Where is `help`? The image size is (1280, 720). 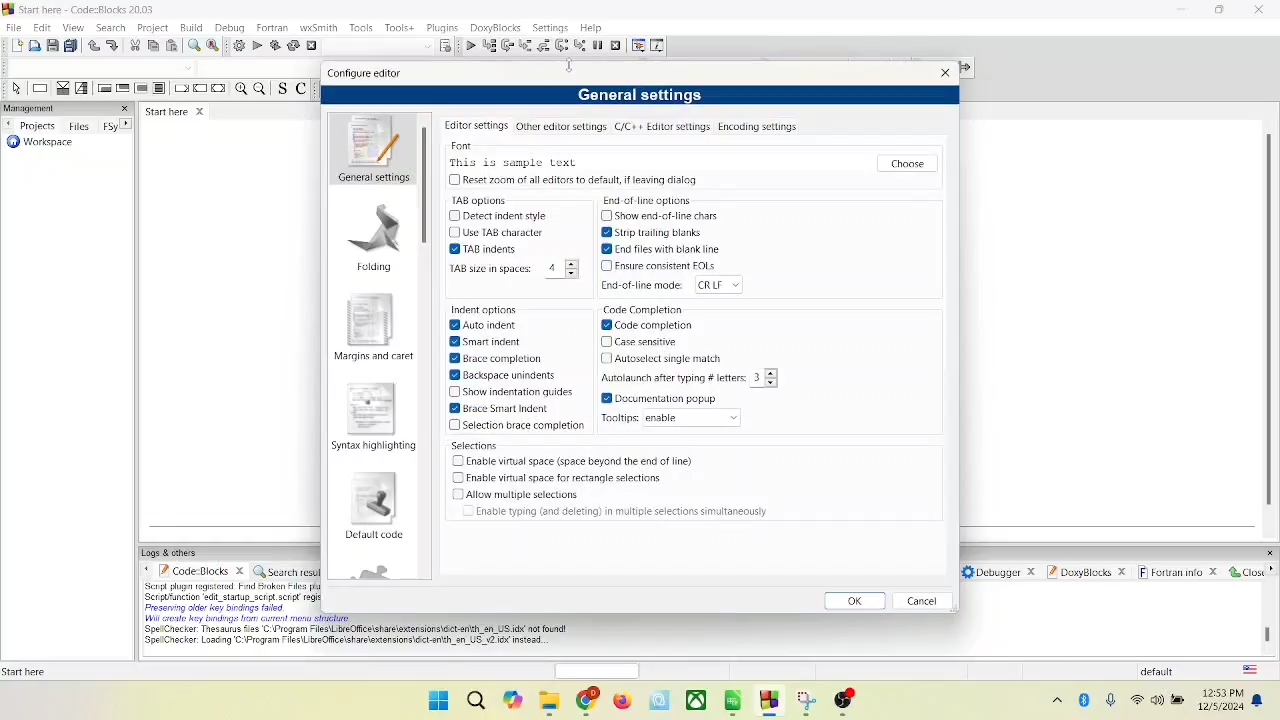 help is located at coordinates (591, 28).